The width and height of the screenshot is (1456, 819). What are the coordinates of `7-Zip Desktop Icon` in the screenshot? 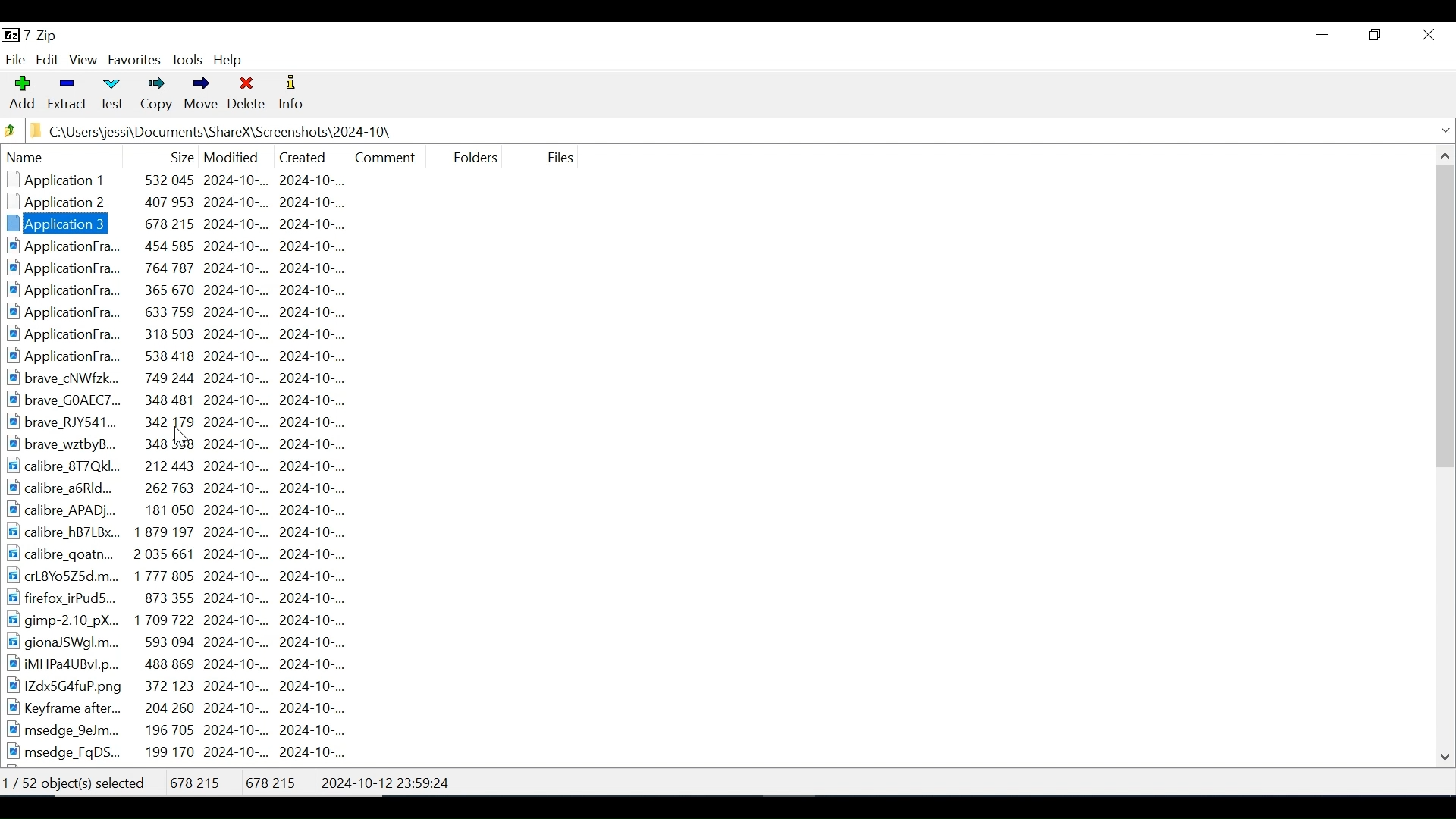 It's located at (33, 36).